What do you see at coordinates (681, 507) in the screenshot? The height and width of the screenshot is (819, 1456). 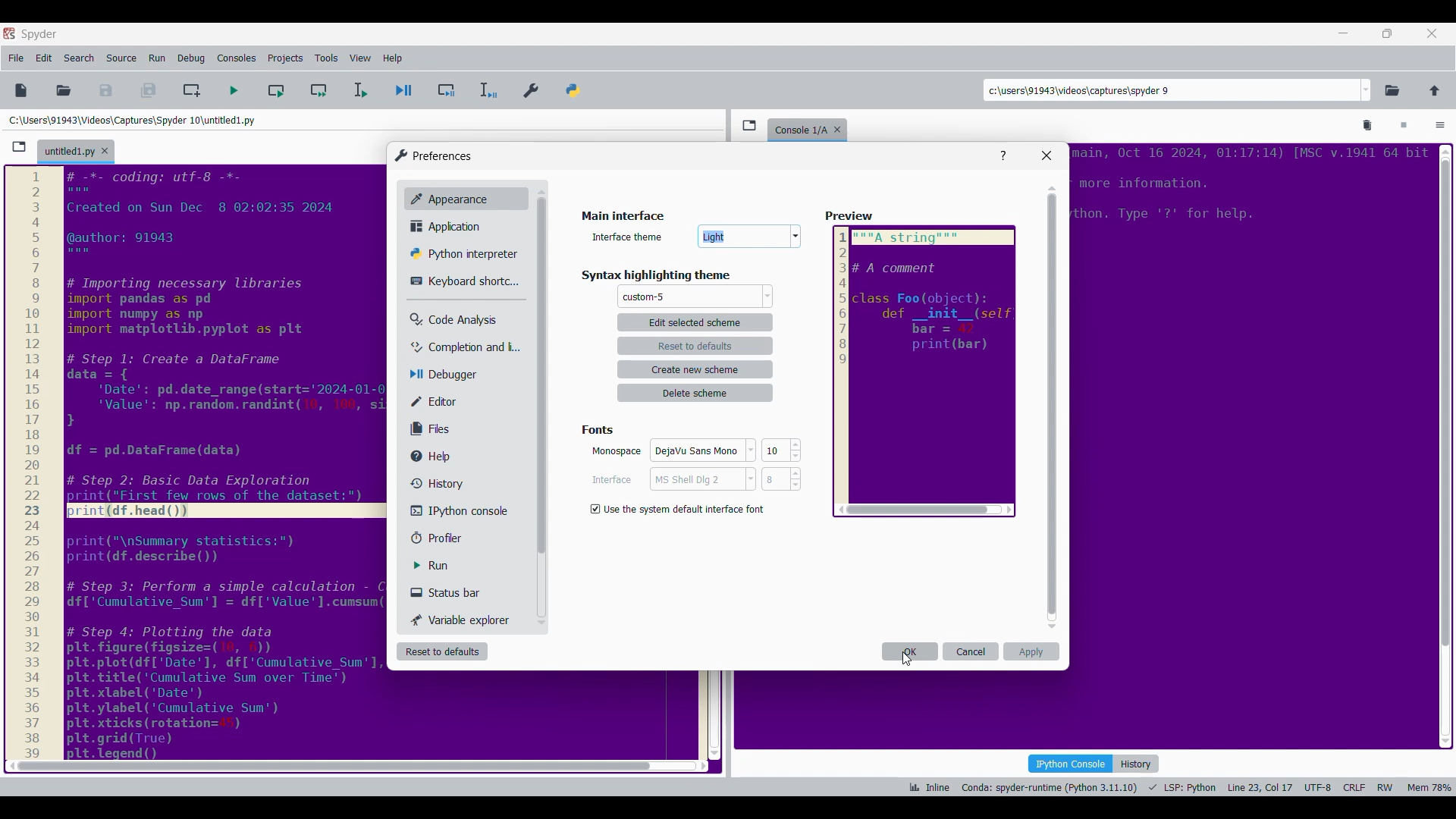 I see `Setting options under Background` at bounding box center [681, 507].